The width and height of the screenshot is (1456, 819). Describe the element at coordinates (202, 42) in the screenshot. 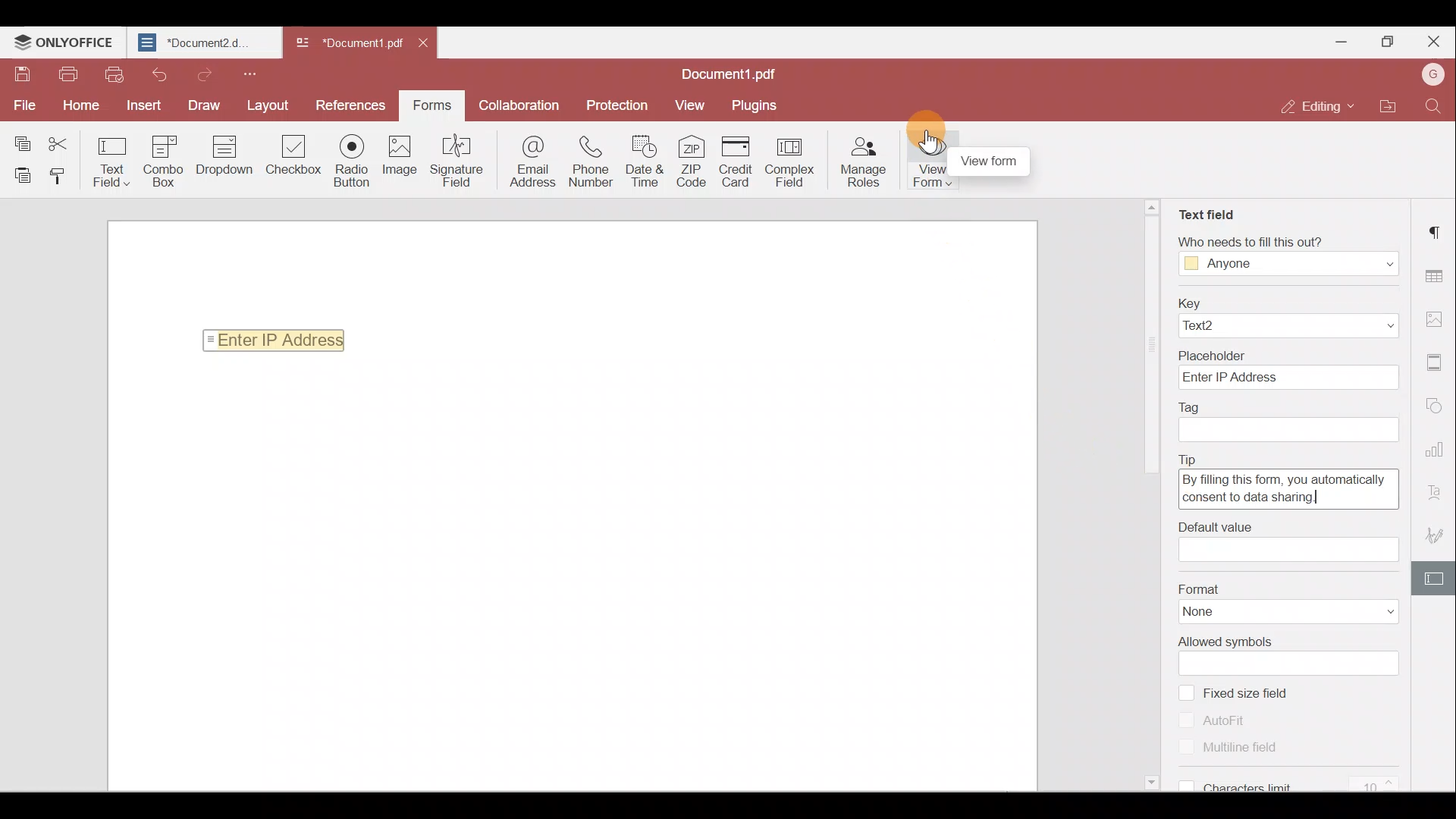

I see `*Document2.d` at that location.